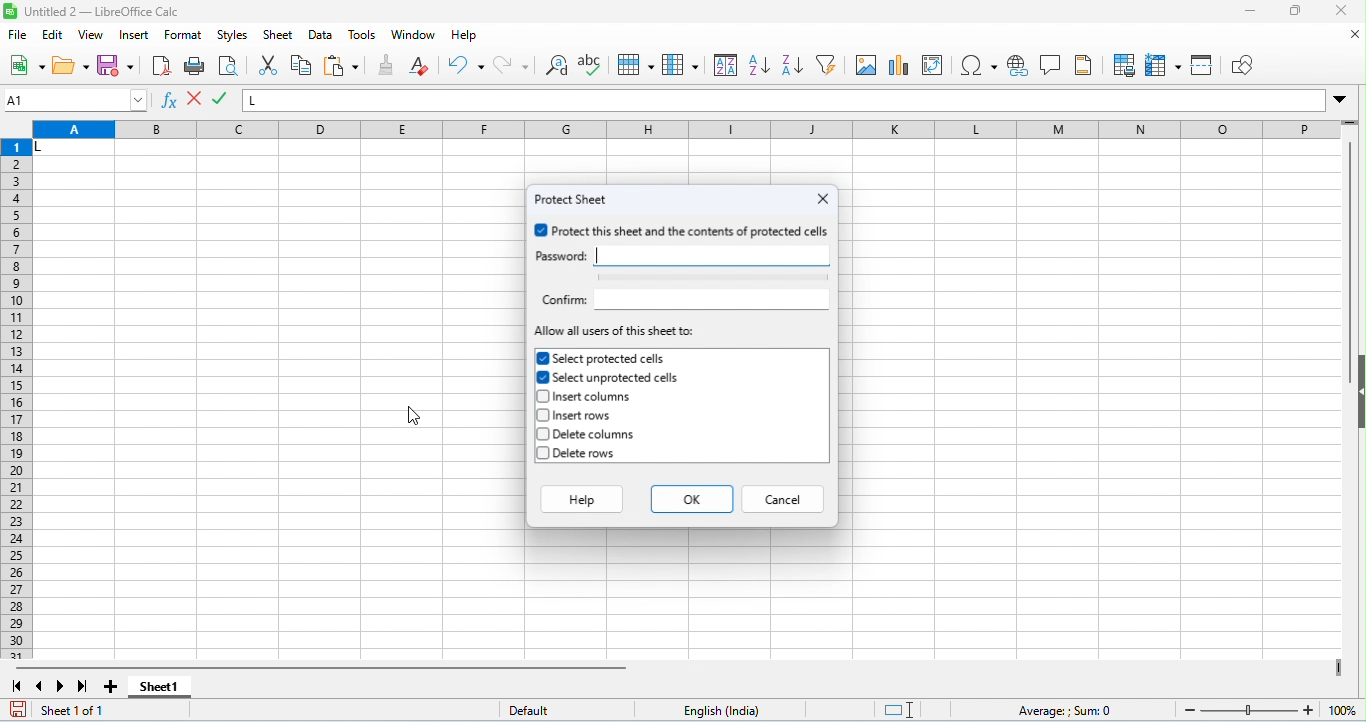 The width and height of the screenshot is (1366, 722). I want to click on close, so click(1355, 35).